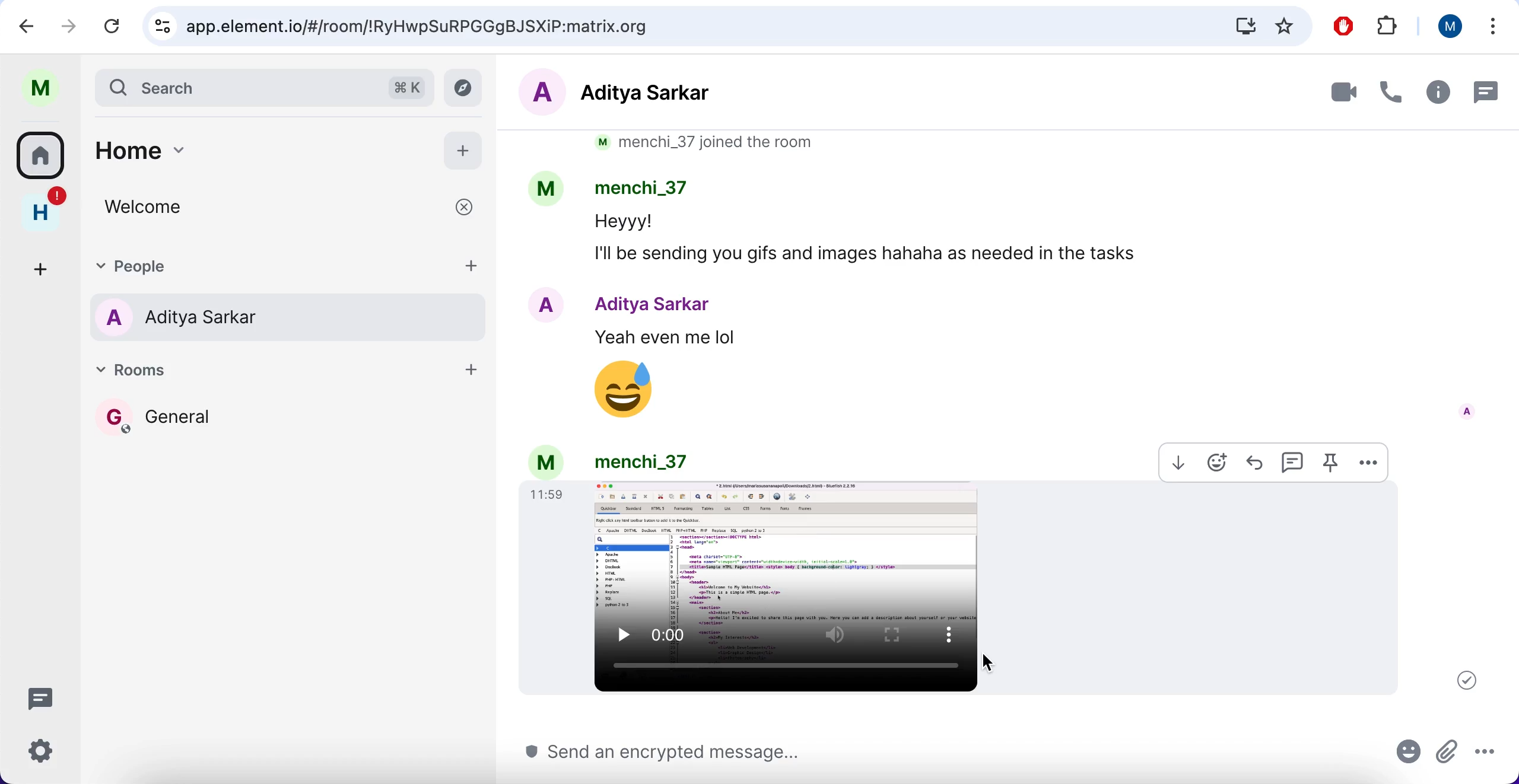 This screenshot has width=1519, height=784. Describe the element at coordinates (965, 591) in the screenshot. I see `image` at that location.